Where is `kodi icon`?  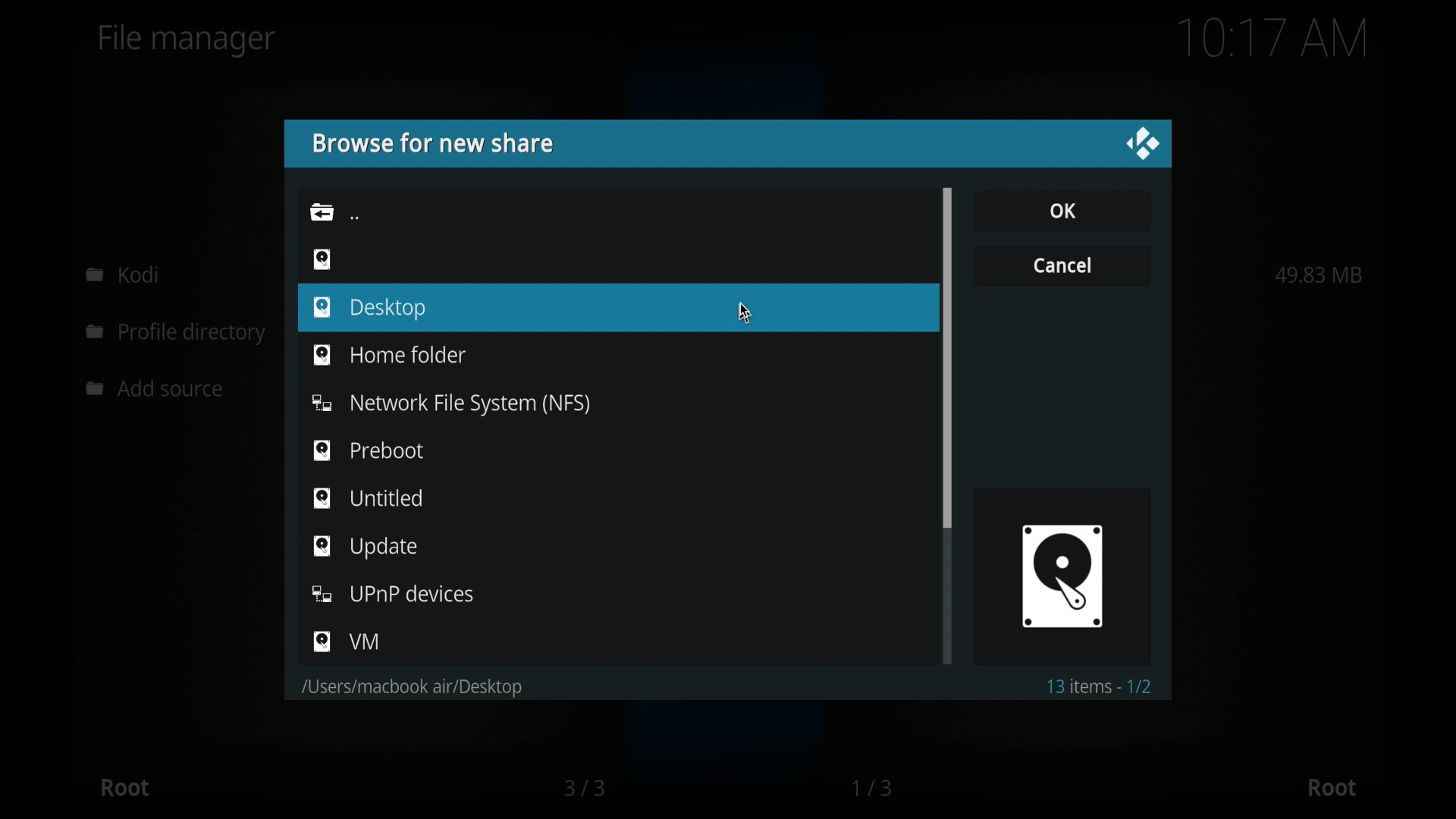 kodi icon is located at coordinates (1062, 575).